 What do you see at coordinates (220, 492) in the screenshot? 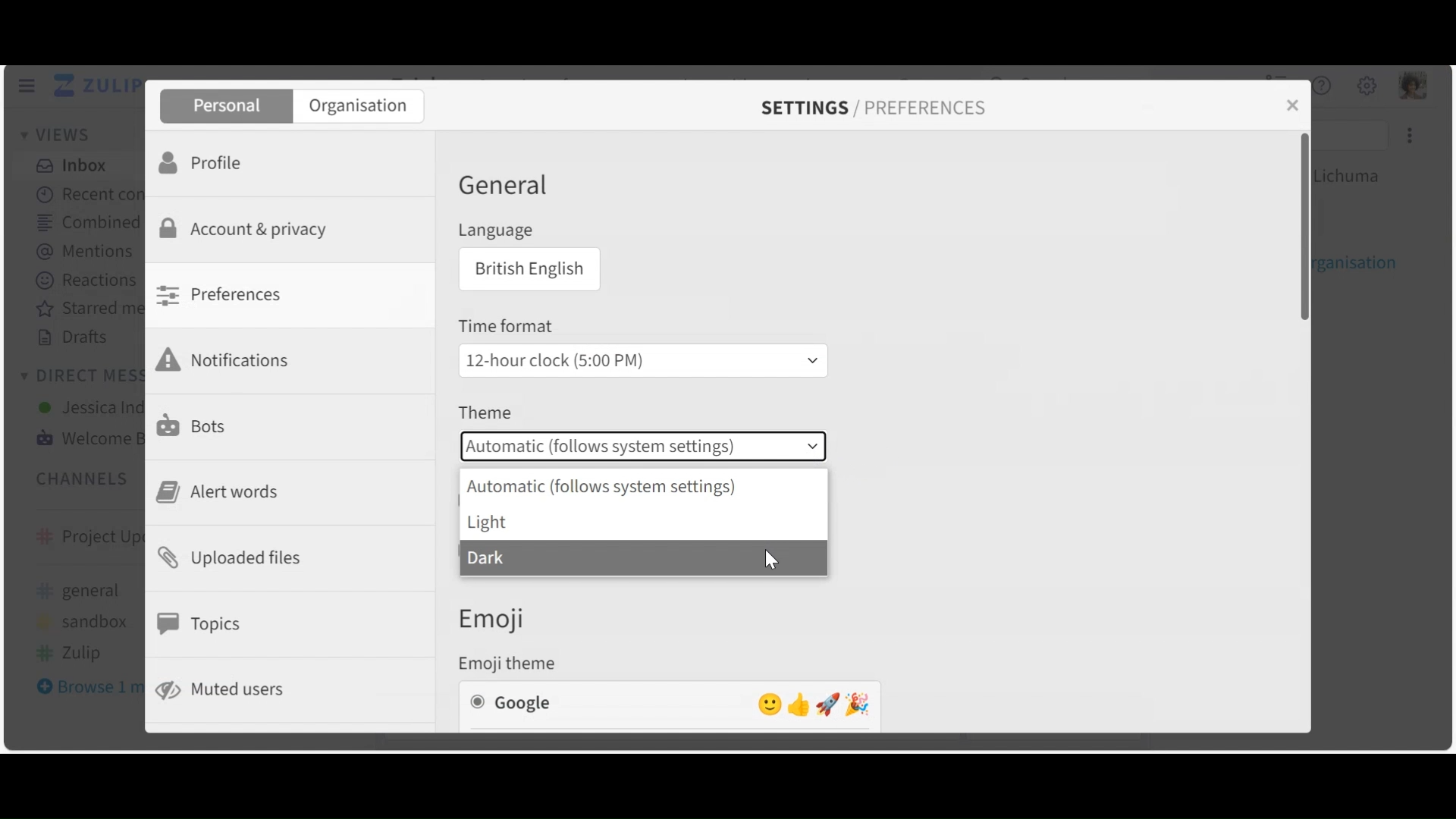
I see `Alert Words` at bounding box center [220, 492].